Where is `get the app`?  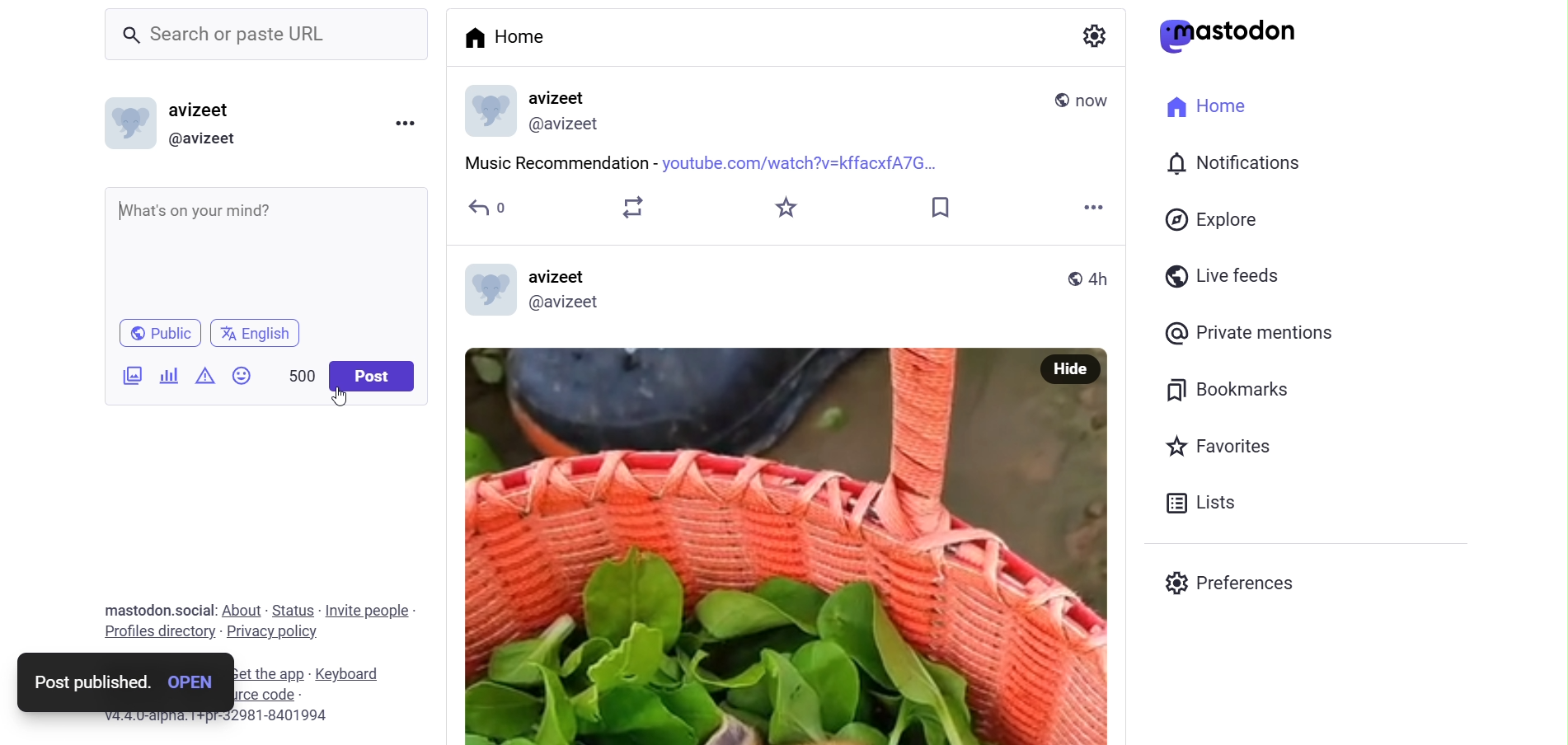
get the app is located at coordinates (268, 672).